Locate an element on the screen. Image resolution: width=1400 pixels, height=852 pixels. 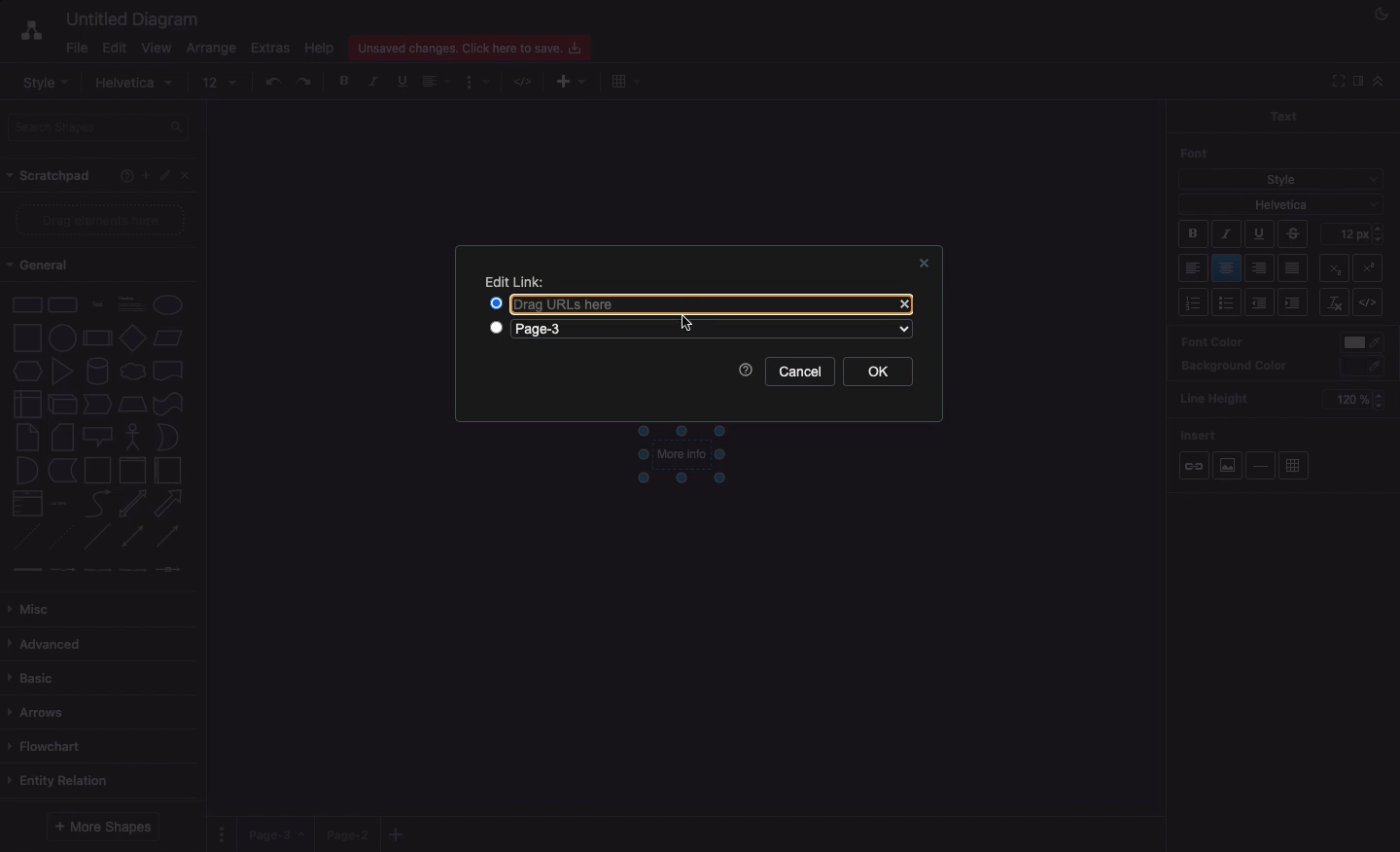
Justified is located at coordinates (1294, 269).